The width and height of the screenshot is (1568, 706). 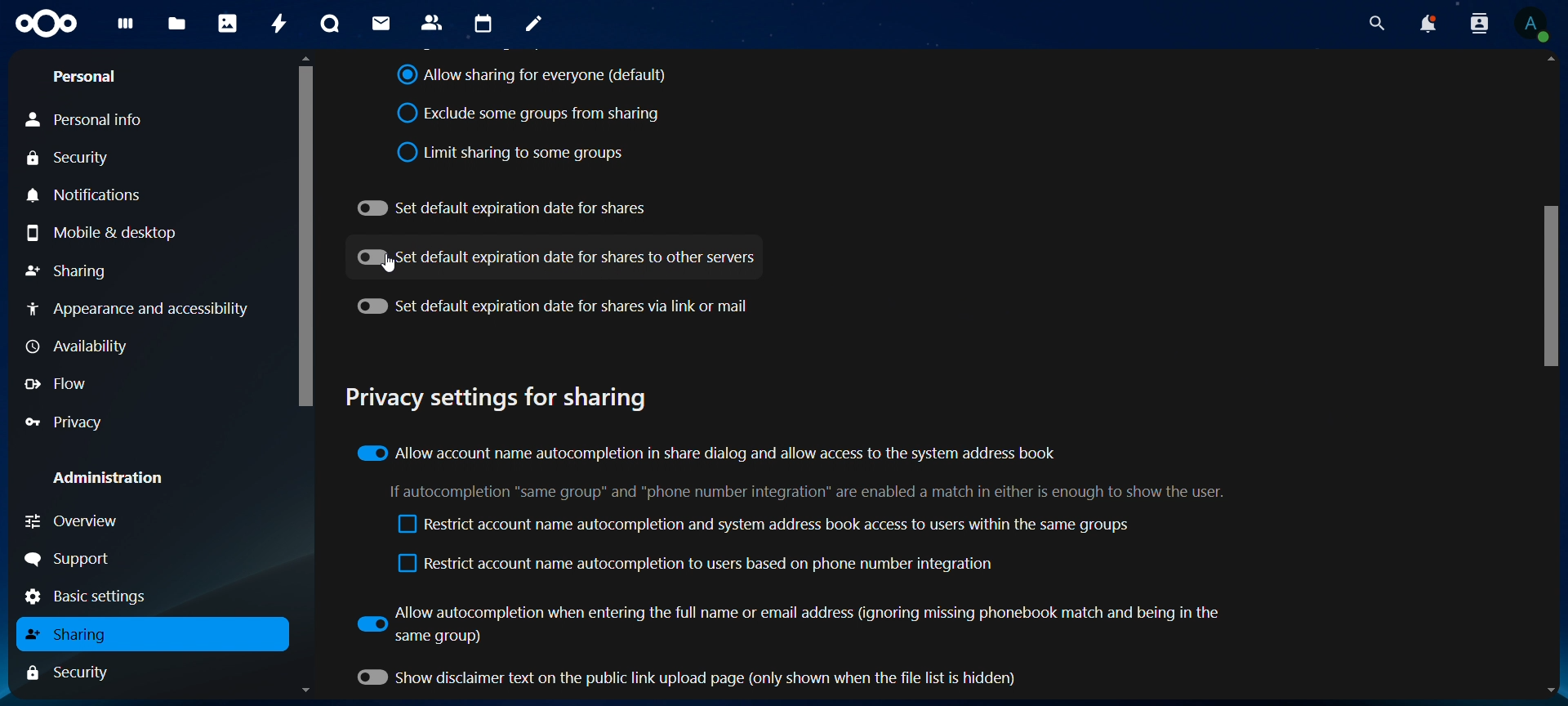 What do you see at coordinates (112, 476) in the screenshot?
I see `administration` at bounding box center [112, 476].